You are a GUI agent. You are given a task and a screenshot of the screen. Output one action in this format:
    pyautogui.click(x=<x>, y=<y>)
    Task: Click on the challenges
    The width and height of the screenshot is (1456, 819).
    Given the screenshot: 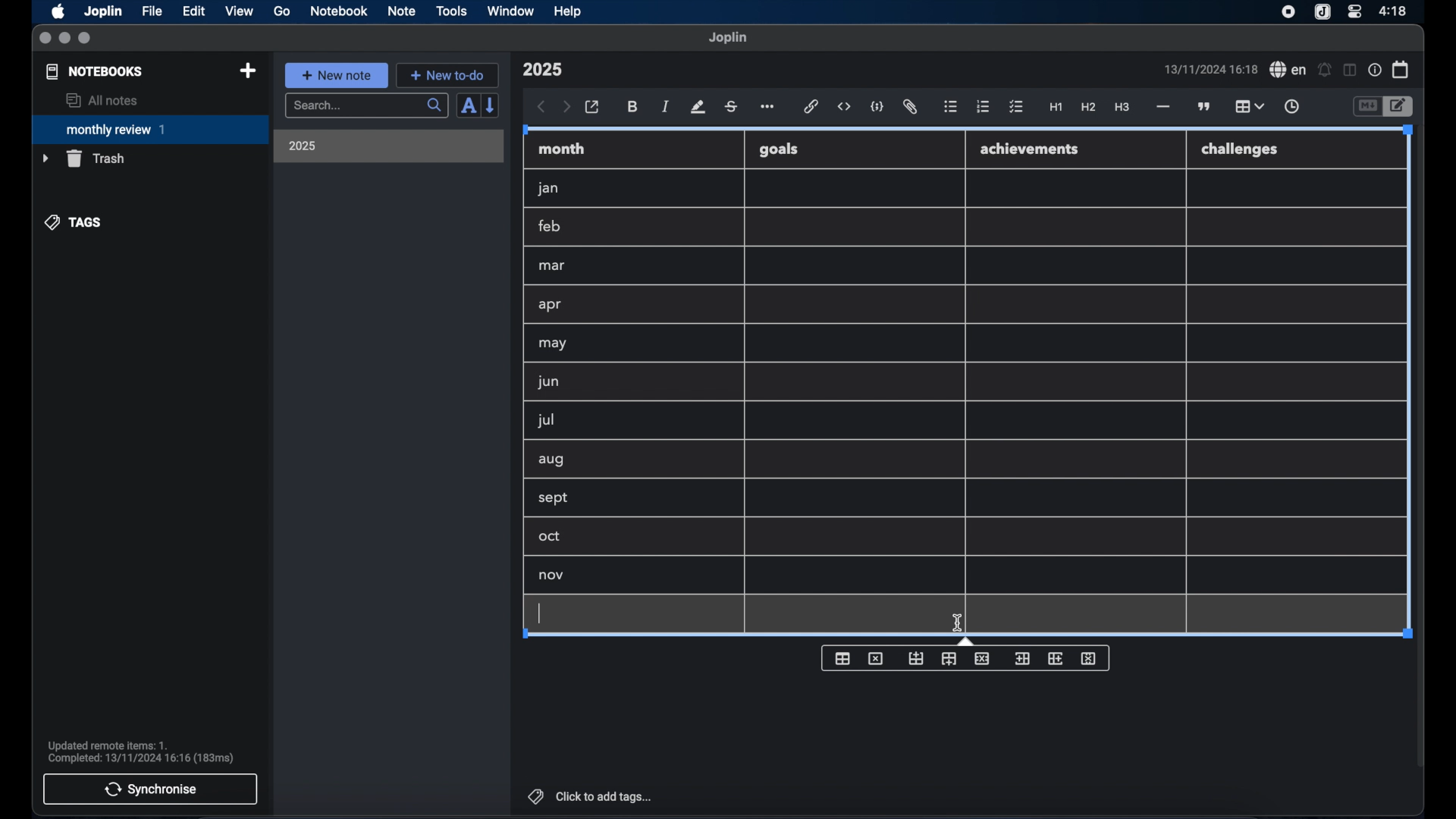 What is the action you would take?
    pyautogui.click(x=1246, y=150)
    